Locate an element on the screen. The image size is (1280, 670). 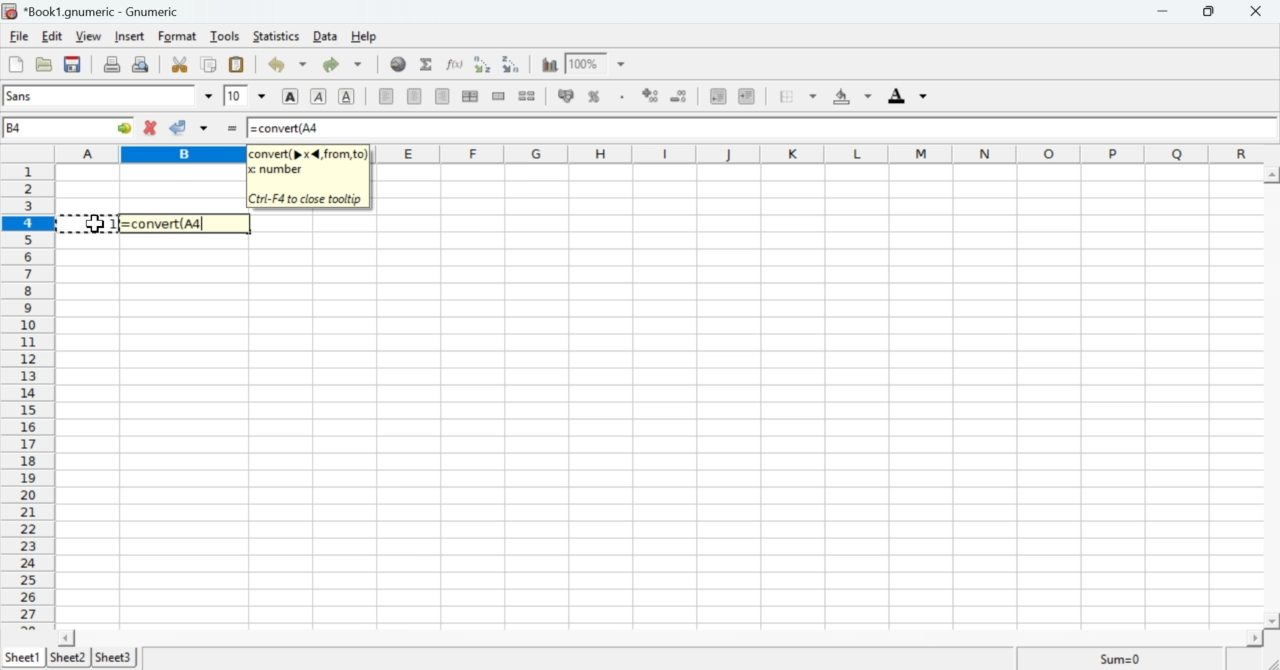
cursor is located at coordinates (95, 225).